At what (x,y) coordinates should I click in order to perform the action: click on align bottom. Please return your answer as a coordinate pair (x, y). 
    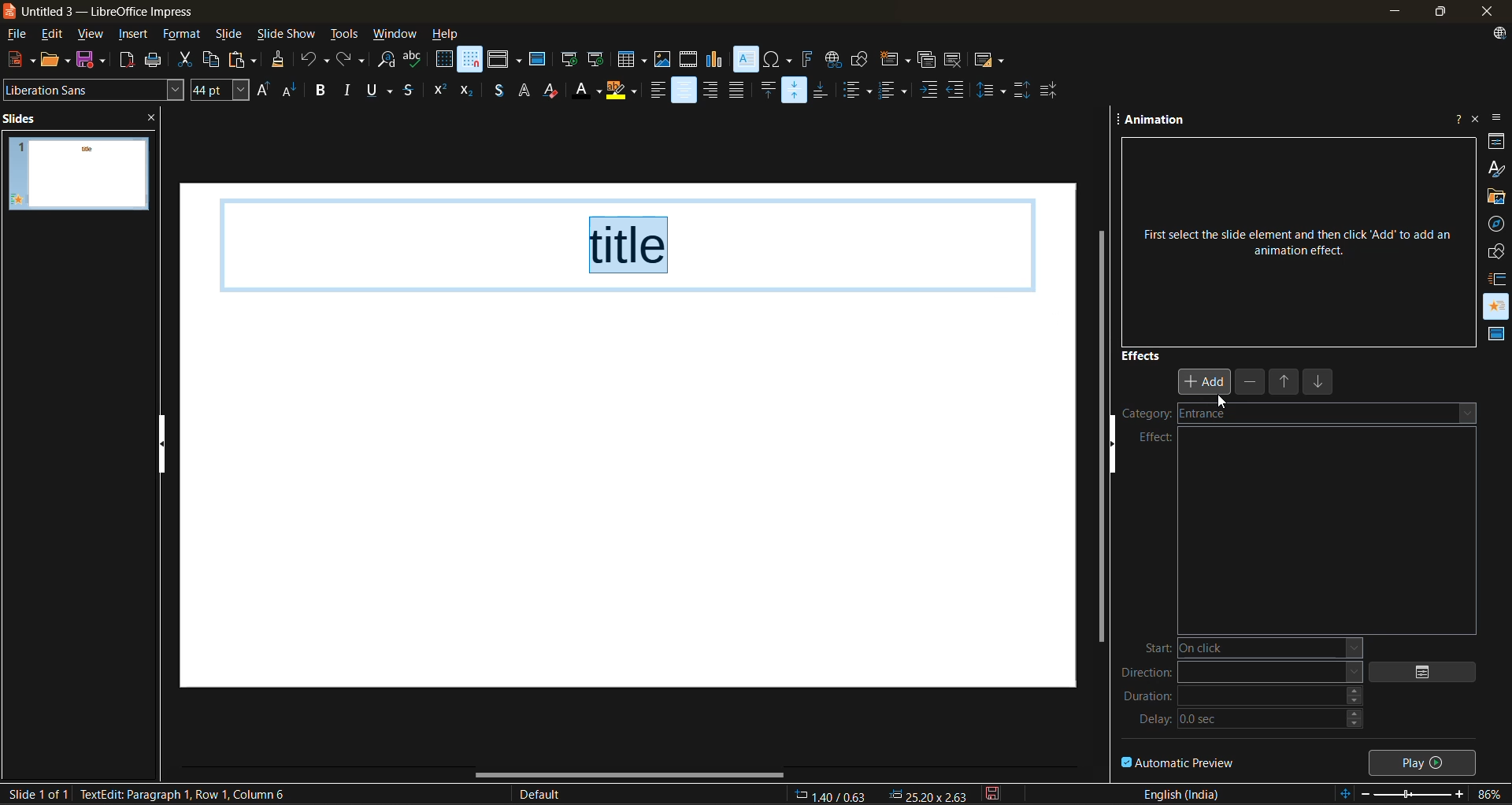
    Looking at the image, I should click on (823, 89).